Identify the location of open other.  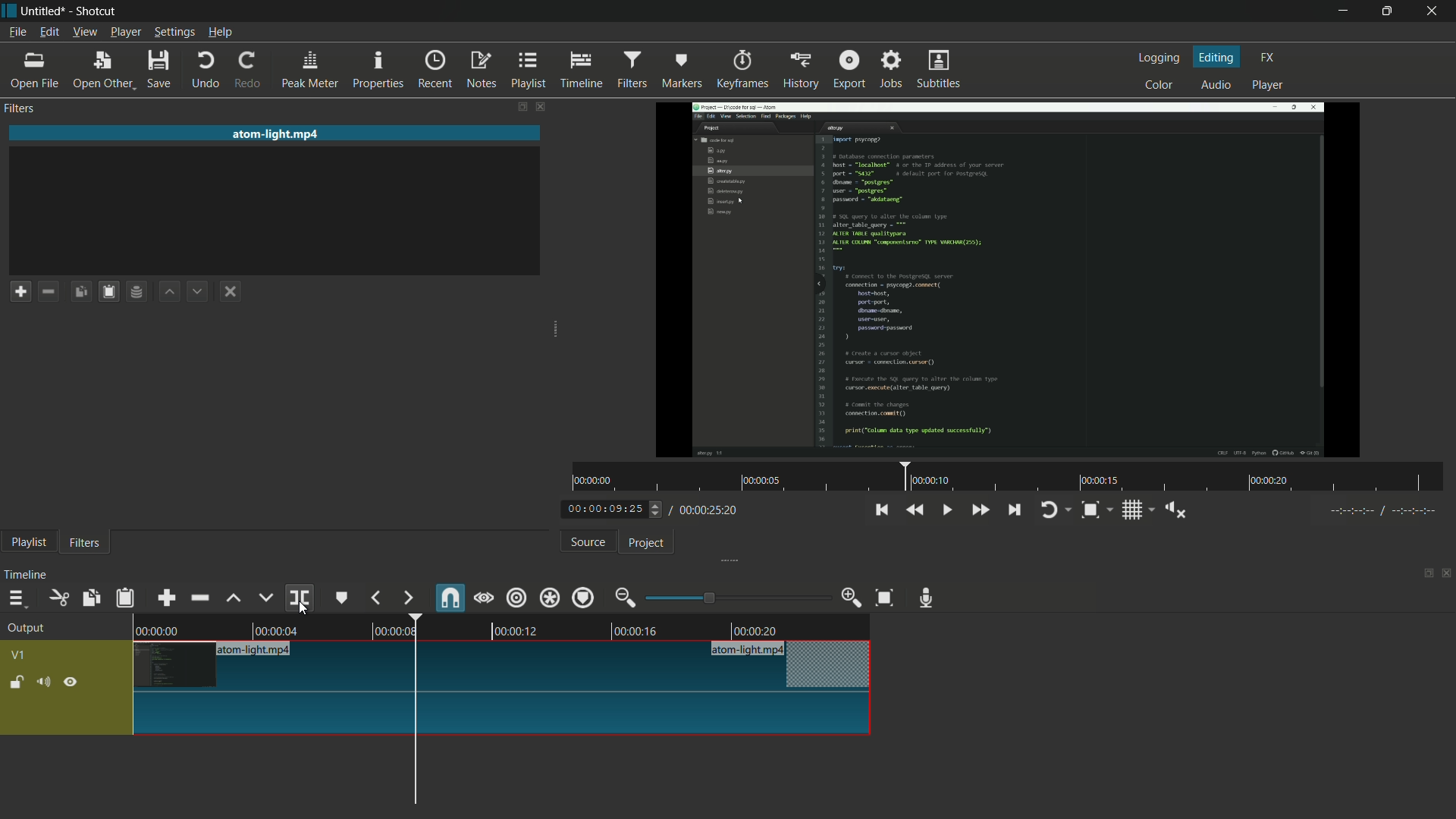
(104, 71).